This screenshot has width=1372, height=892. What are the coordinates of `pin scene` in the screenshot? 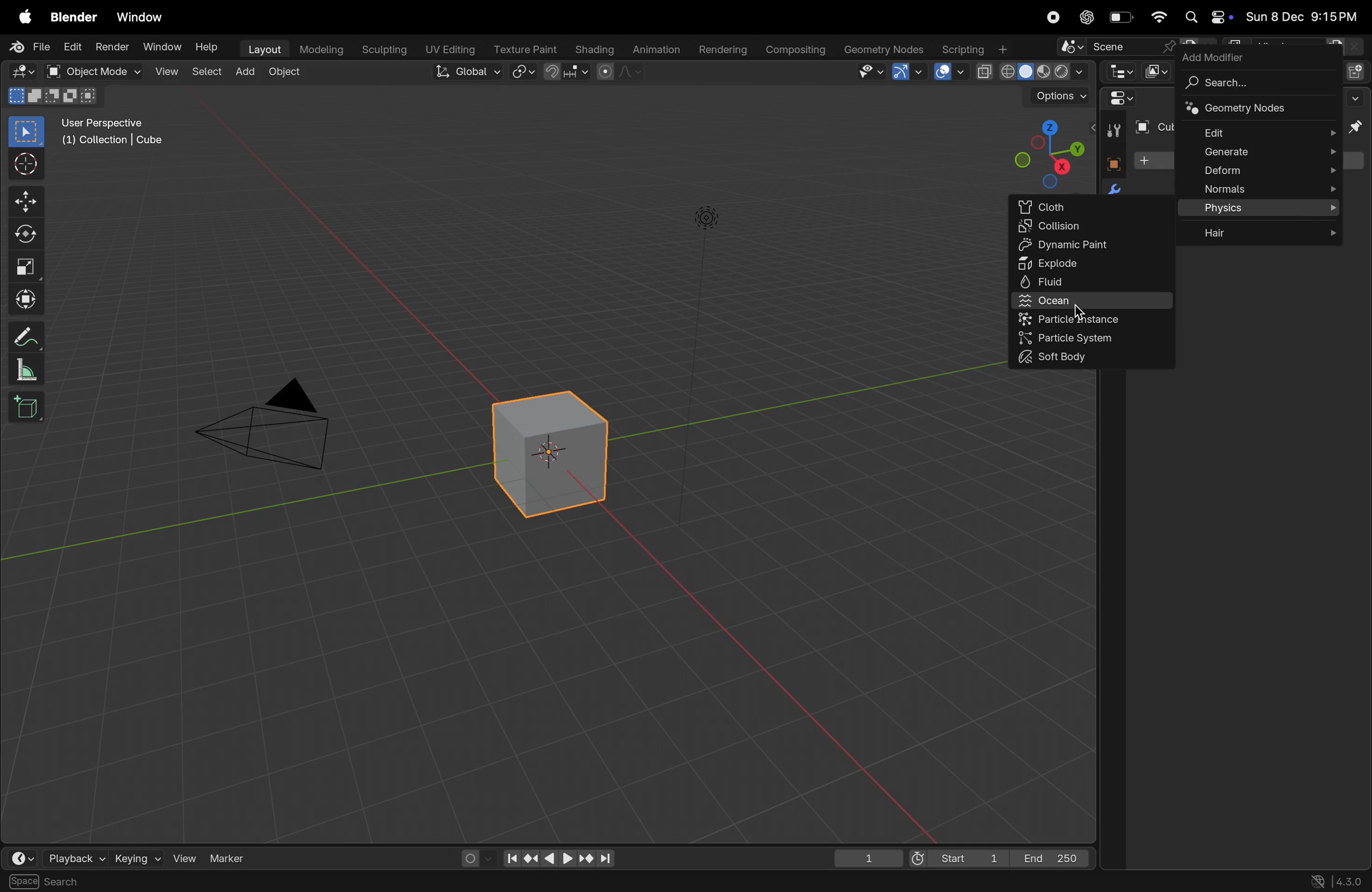 It's located at (1114, 48).